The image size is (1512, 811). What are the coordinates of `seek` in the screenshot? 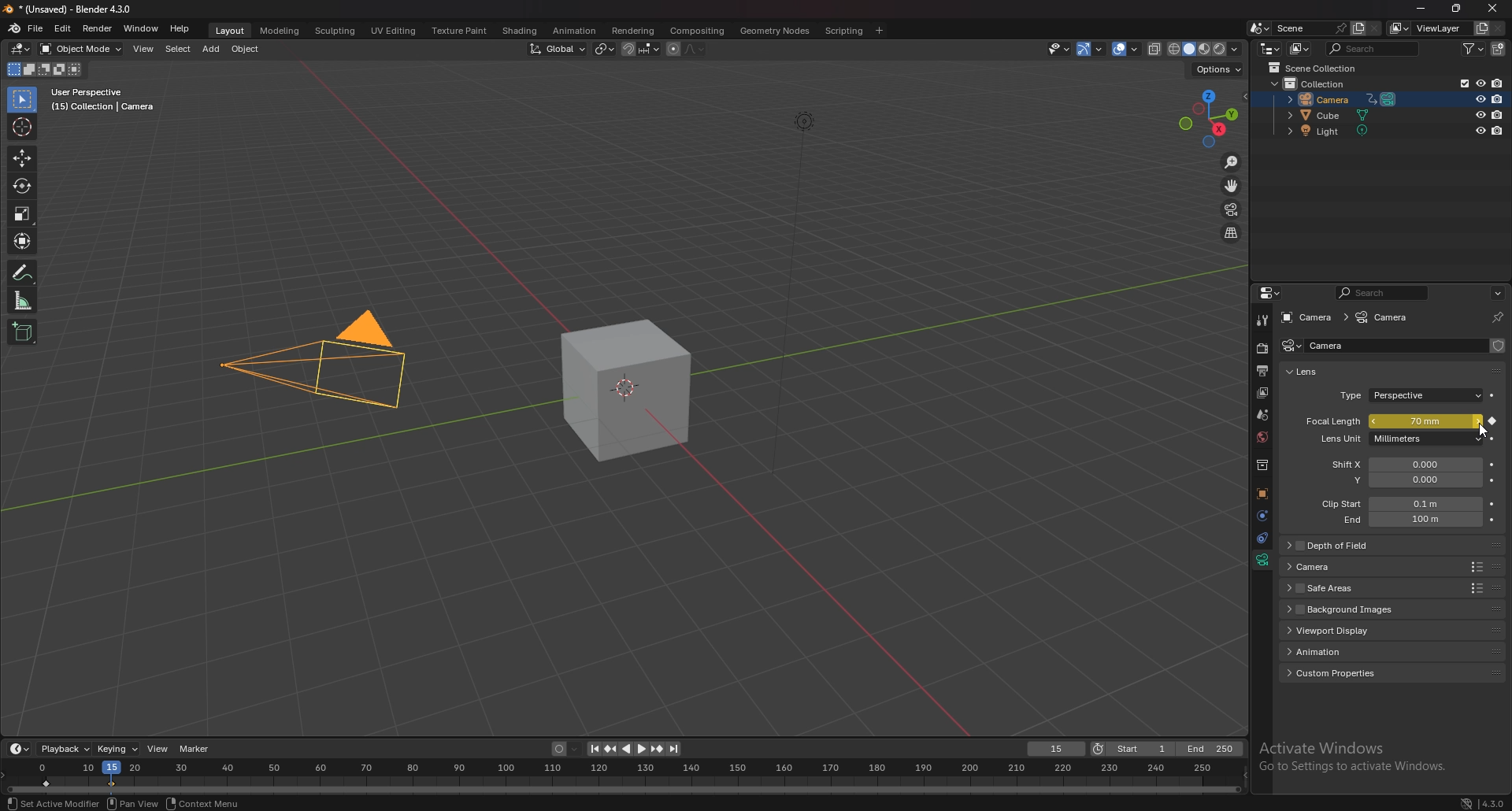 It's located at (624, 778).